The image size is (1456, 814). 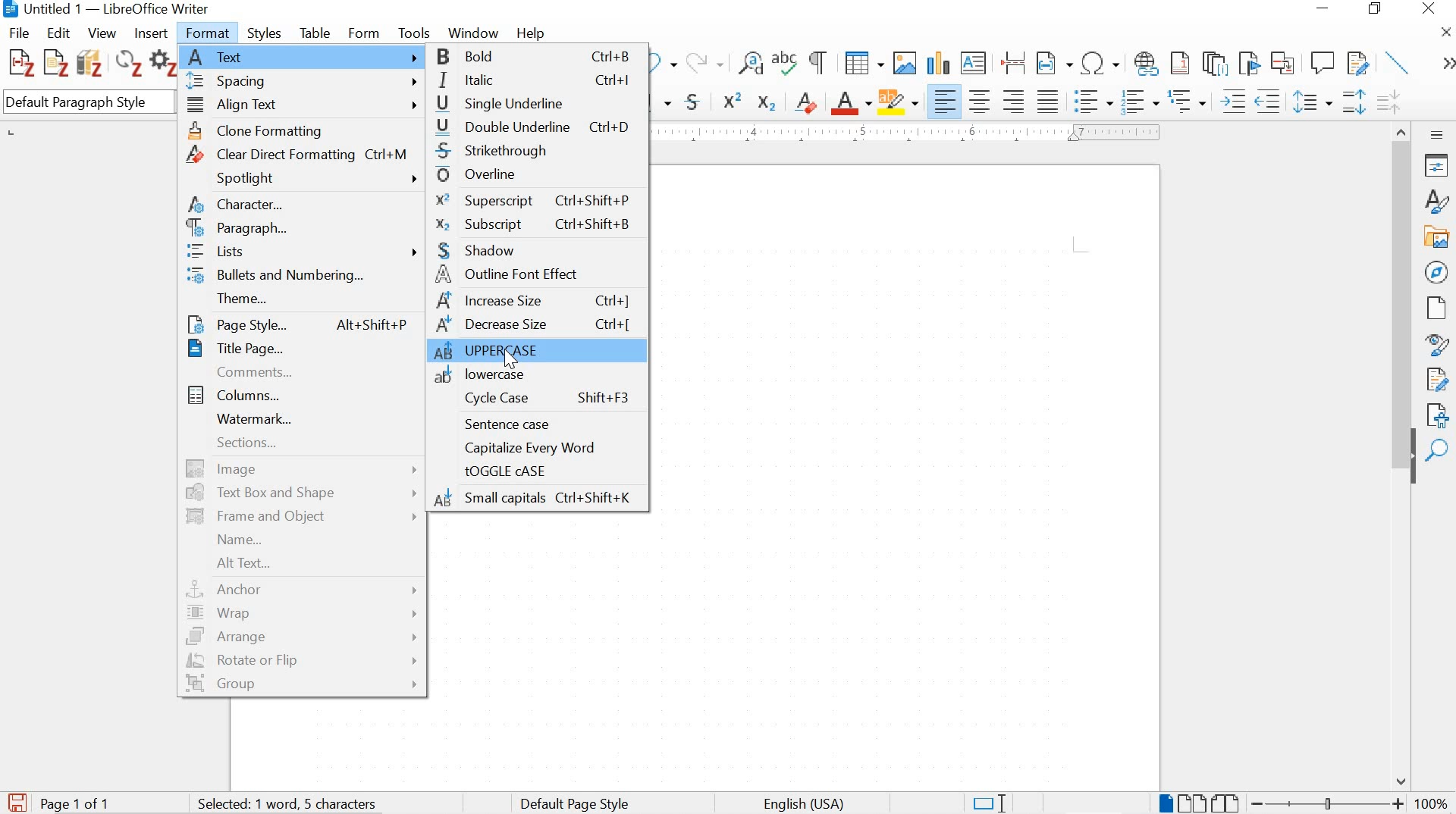 What do you see at coordinates (533, 199) in the screenshot?
I see `superscript` at bounding box center [533, 199].